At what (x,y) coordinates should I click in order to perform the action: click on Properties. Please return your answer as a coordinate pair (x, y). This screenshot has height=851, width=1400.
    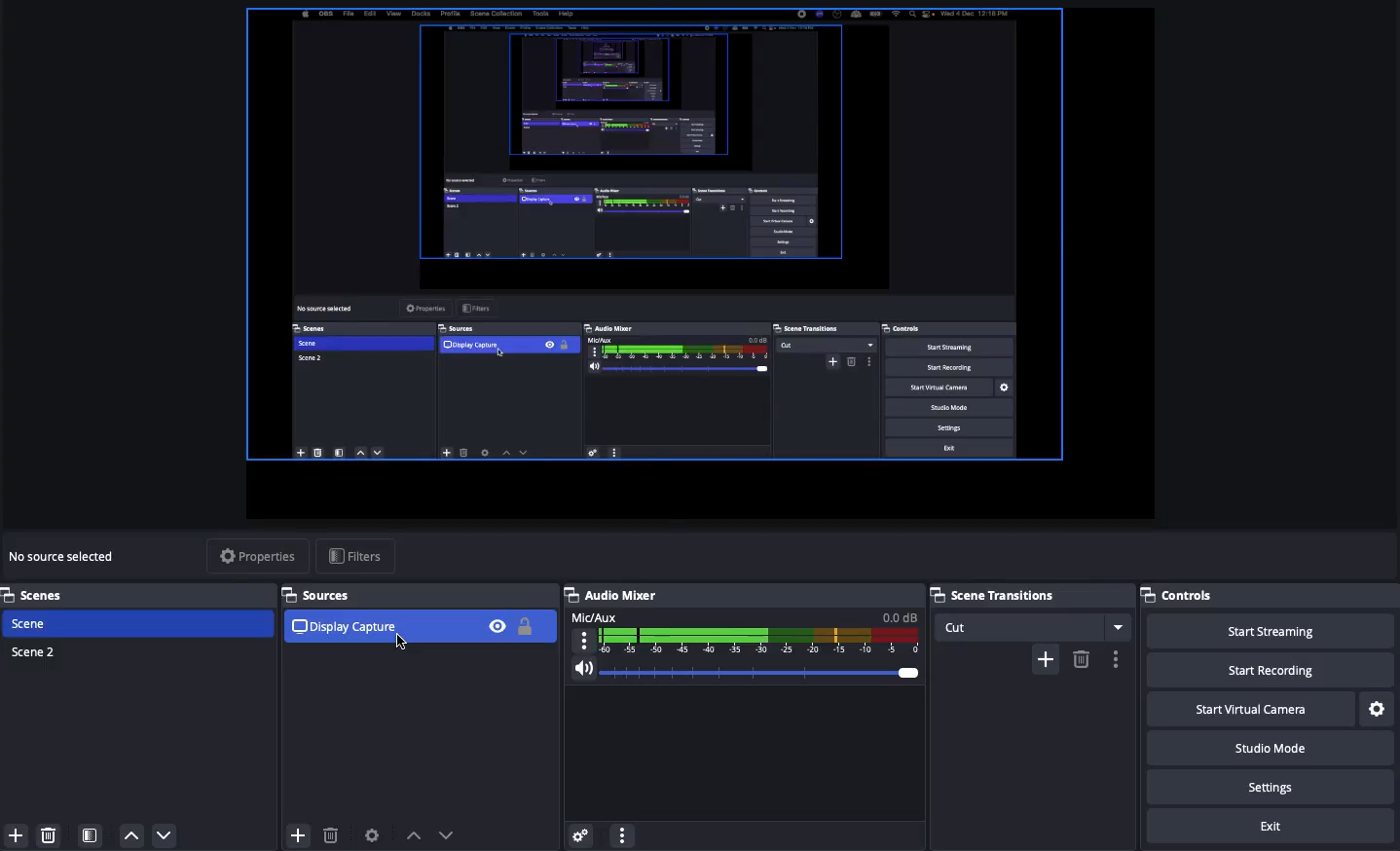
    Looking at the image, I should click on (257, 555).